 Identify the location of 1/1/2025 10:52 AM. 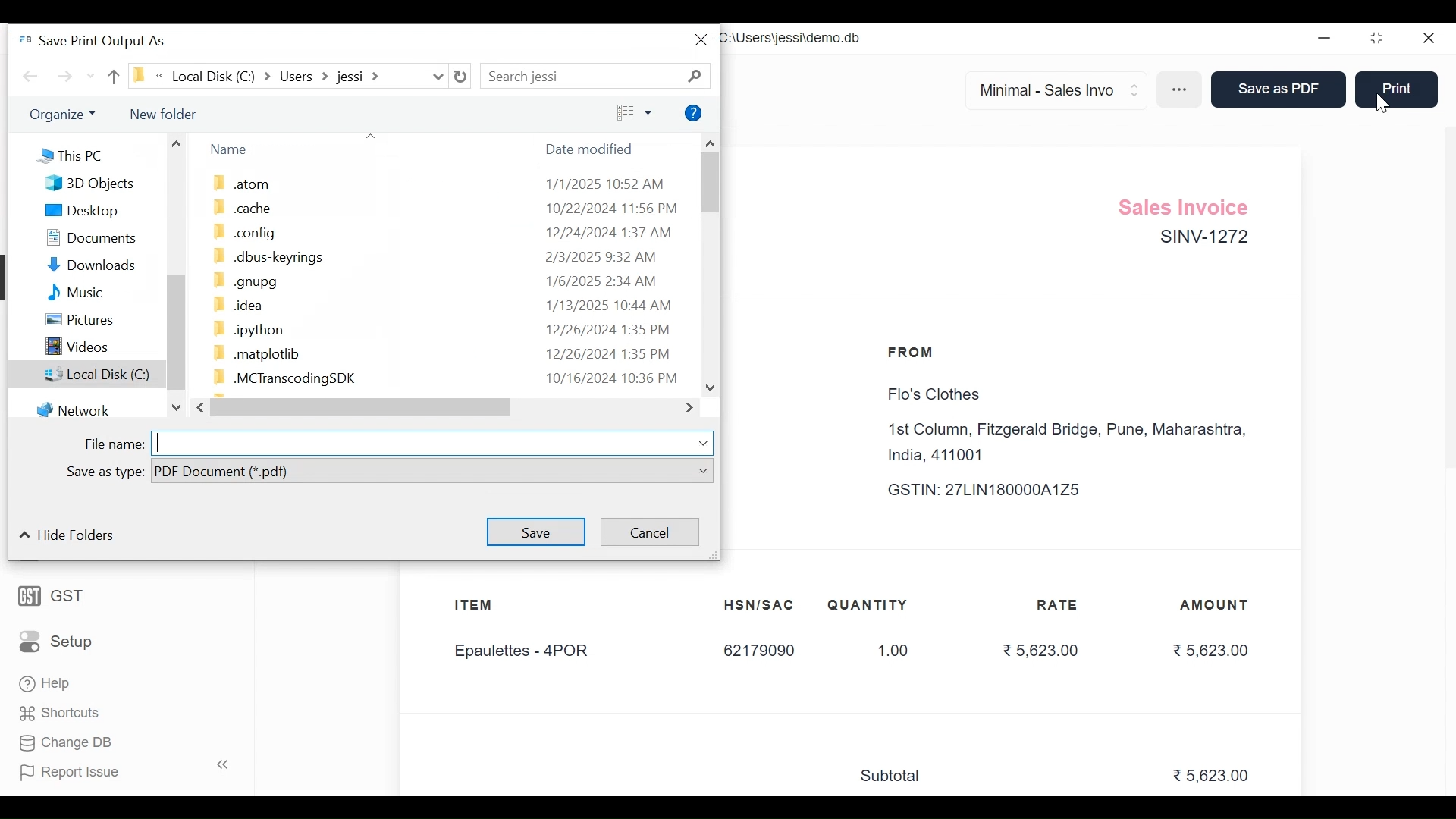
(607, 183).